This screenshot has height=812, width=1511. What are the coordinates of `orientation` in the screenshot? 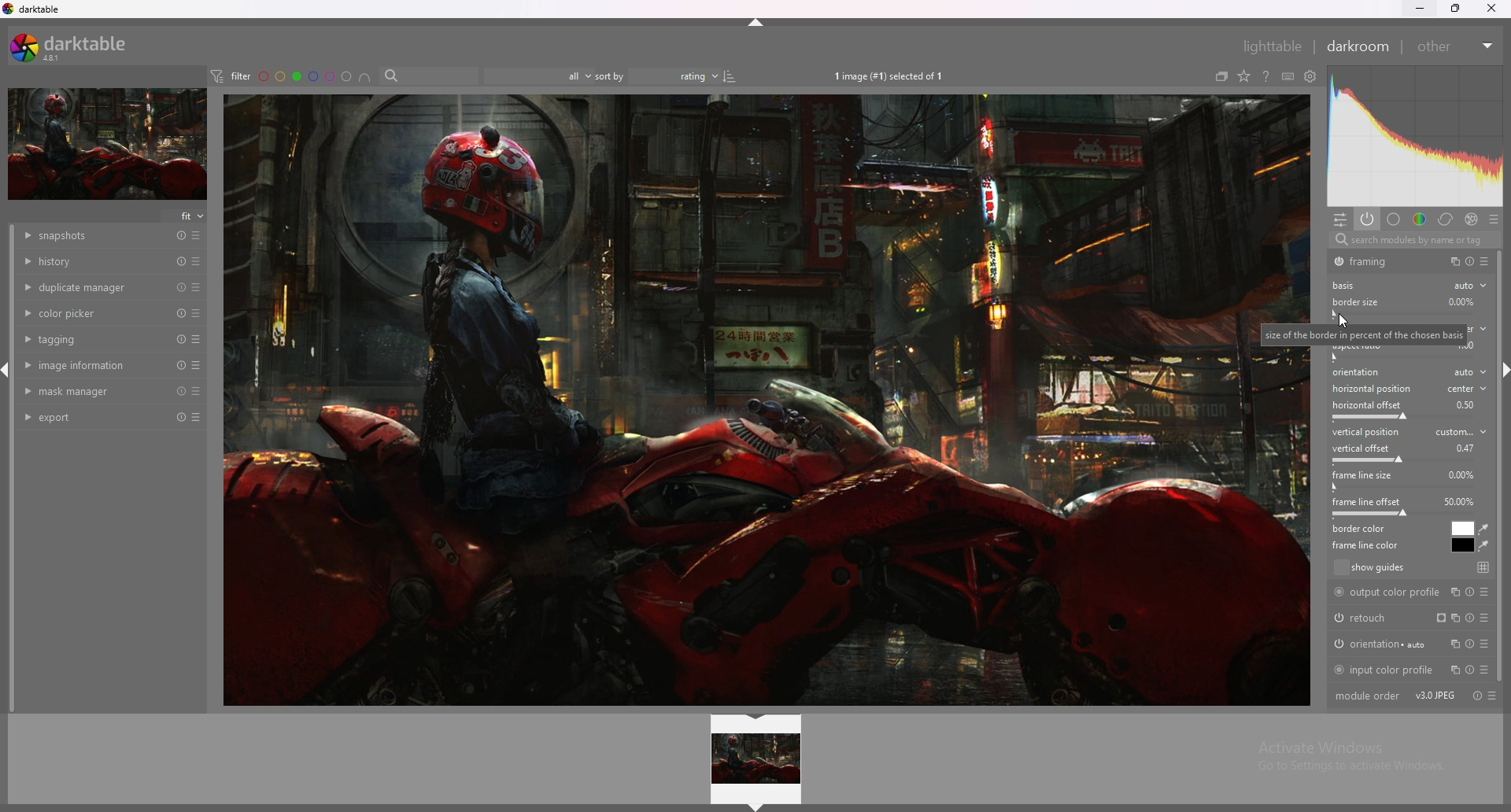 It's located at (1411, 373).